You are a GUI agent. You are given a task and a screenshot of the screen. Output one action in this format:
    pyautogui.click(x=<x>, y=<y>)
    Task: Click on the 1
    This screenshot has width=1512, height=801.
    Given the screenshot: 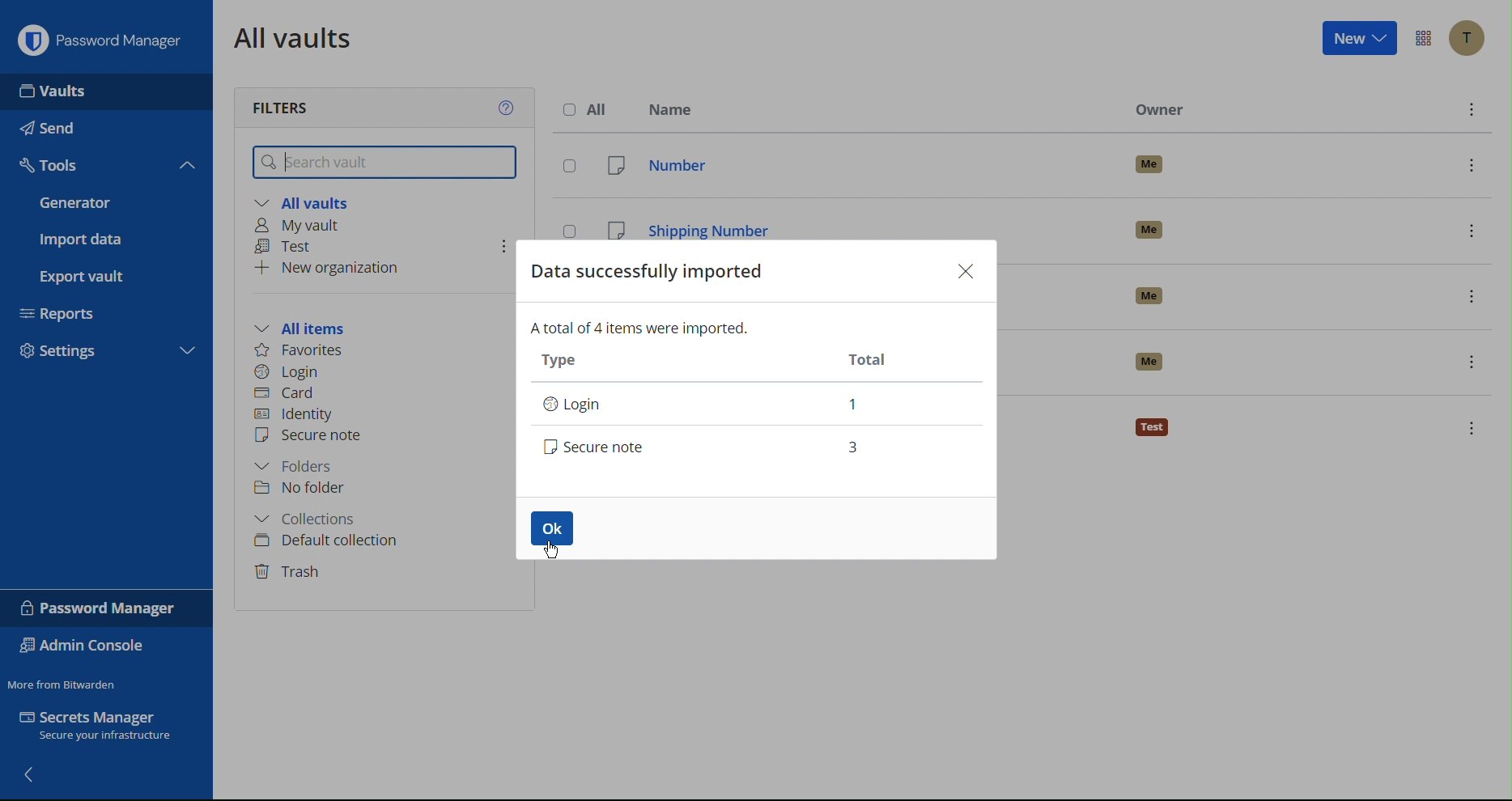 What is the action you would take?
    pyautogui.click(x=855, y=405)
    